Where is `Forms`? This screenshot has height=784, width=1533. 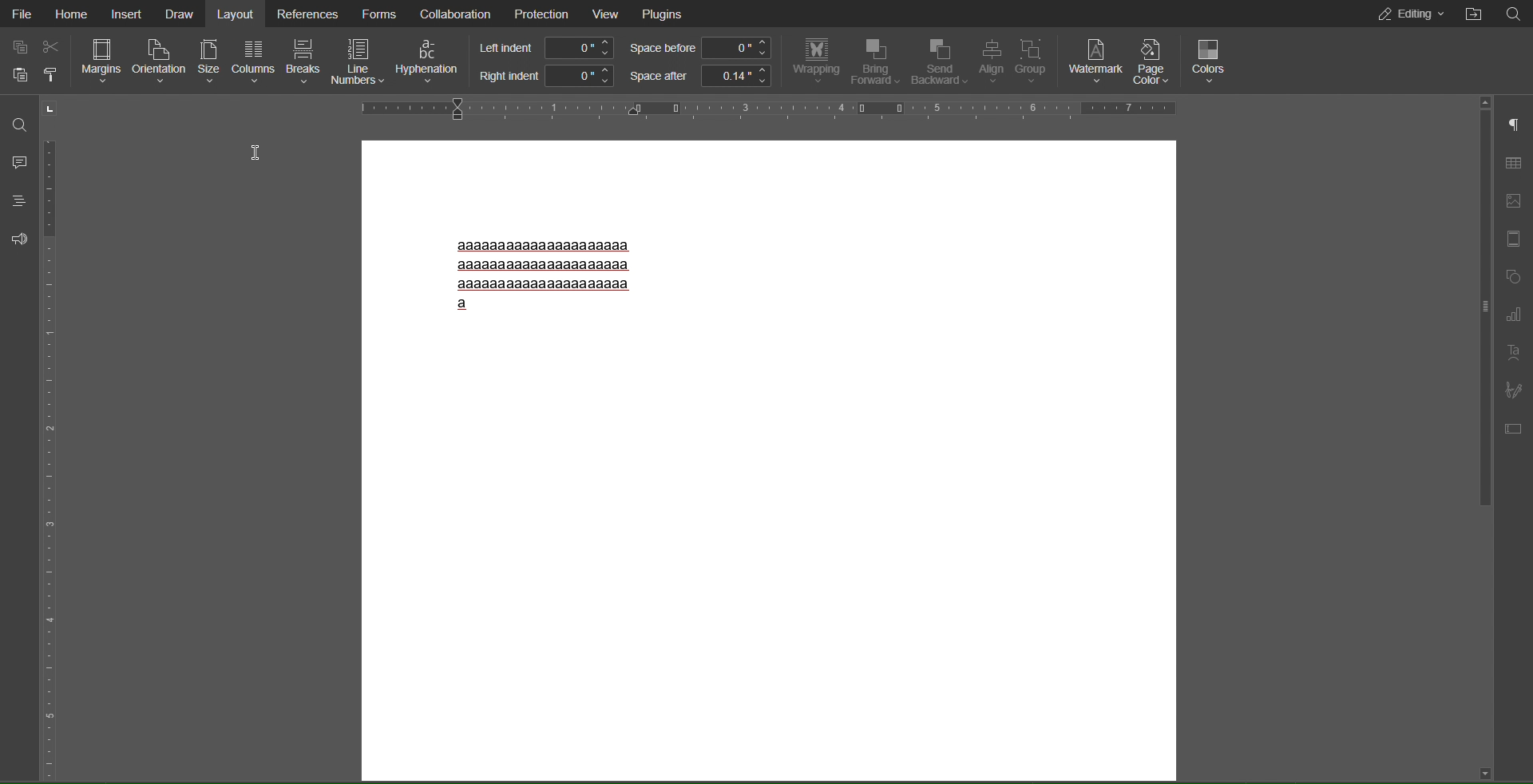
Forms is located at coordinates (379, 14).